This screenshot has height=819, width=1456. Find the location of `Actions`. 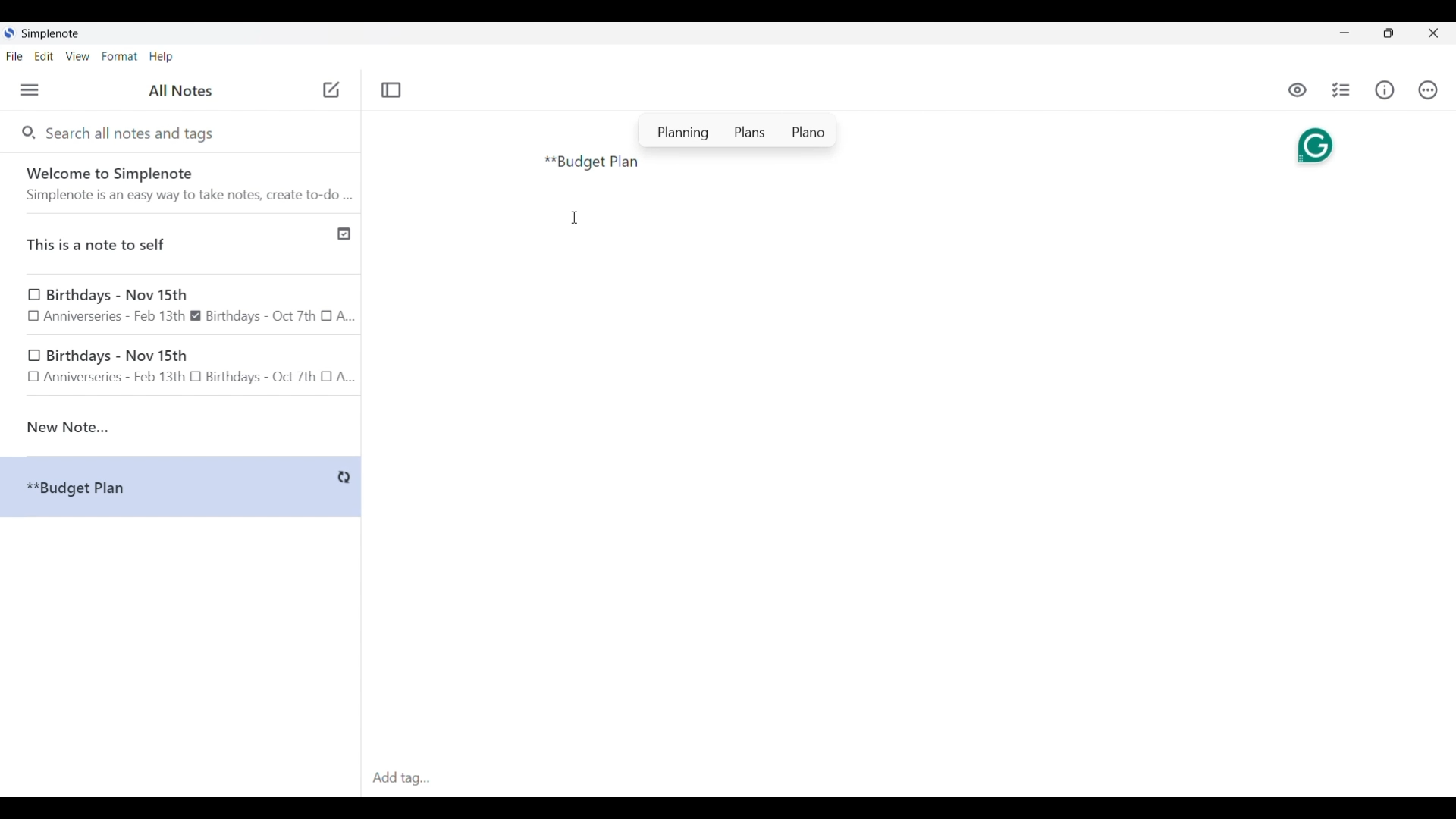

Actions is located at coordinates (1427, 90).